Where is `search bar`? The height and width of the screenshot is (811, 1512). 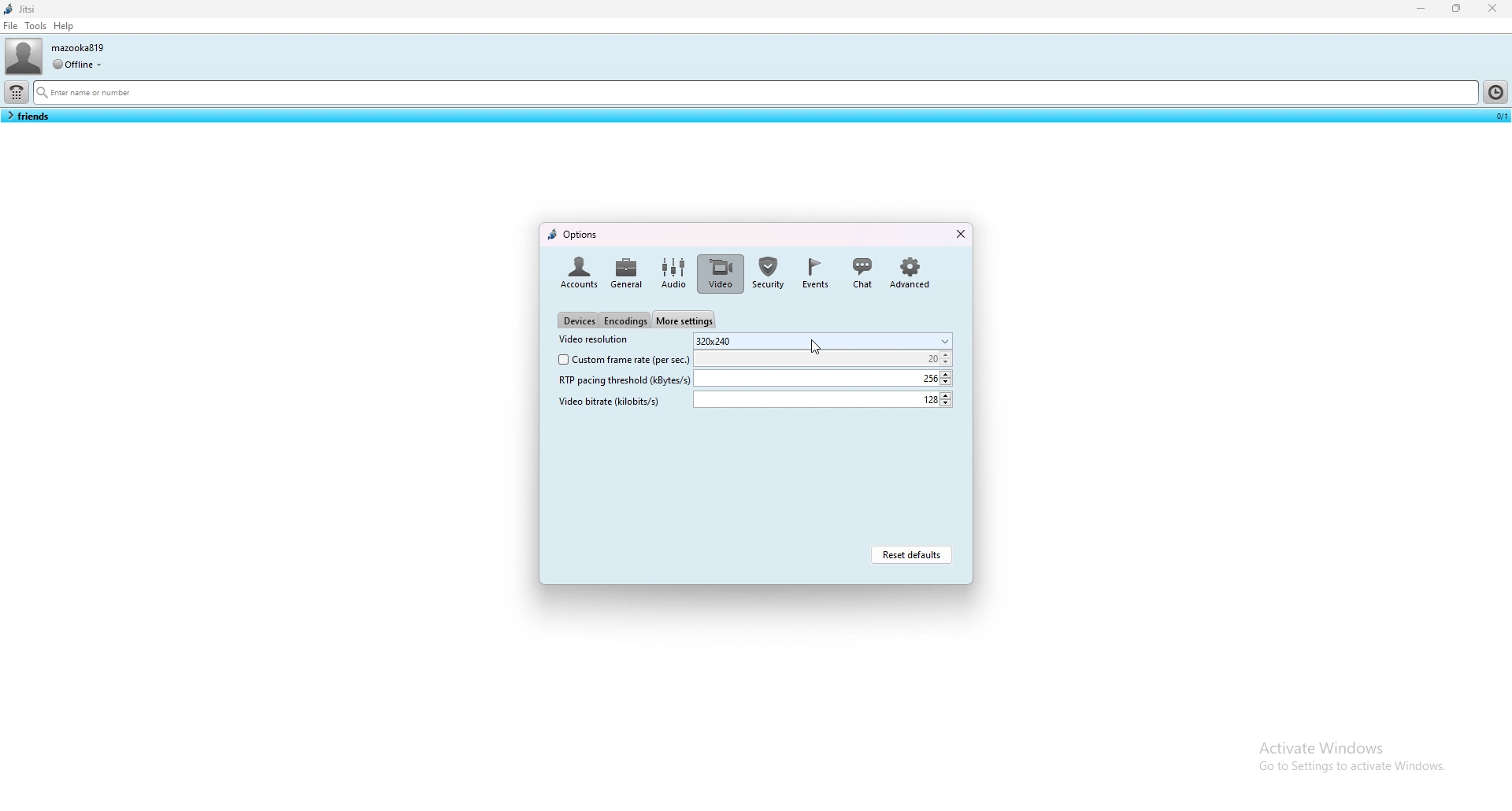 search bar is located at coordinates (754, 94).